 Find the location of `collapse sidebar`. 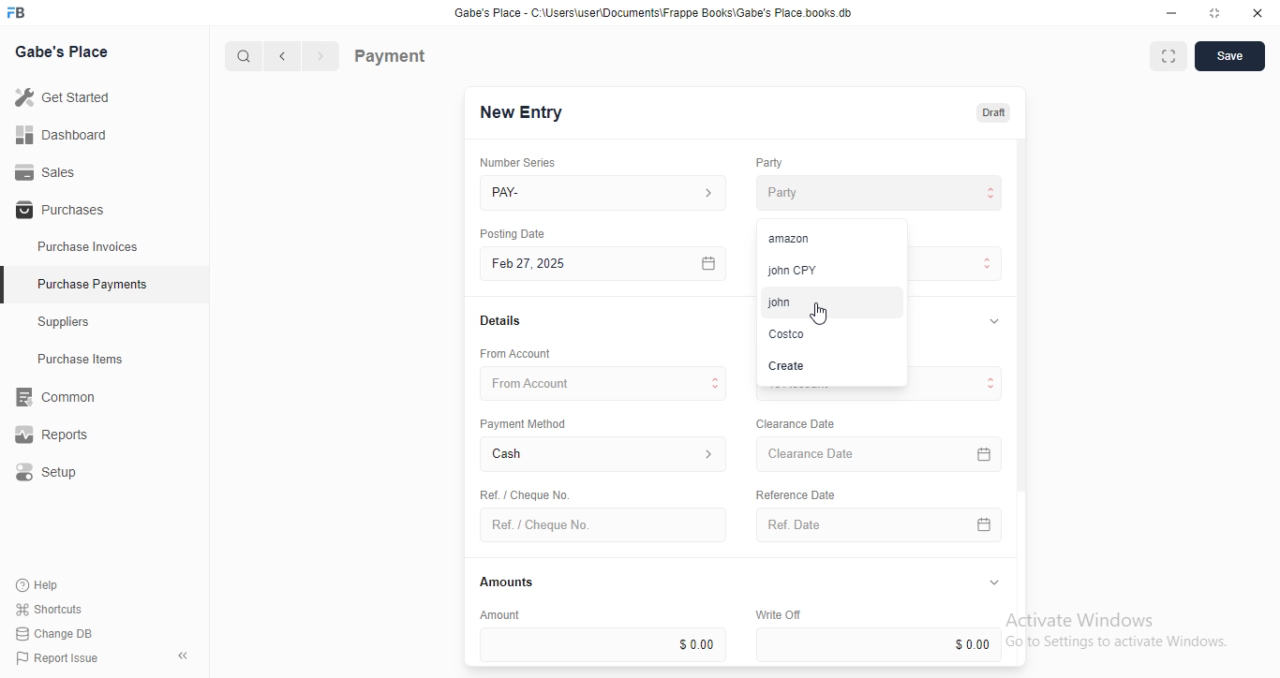

collapse sidebar is located at coordinates (182, 655).